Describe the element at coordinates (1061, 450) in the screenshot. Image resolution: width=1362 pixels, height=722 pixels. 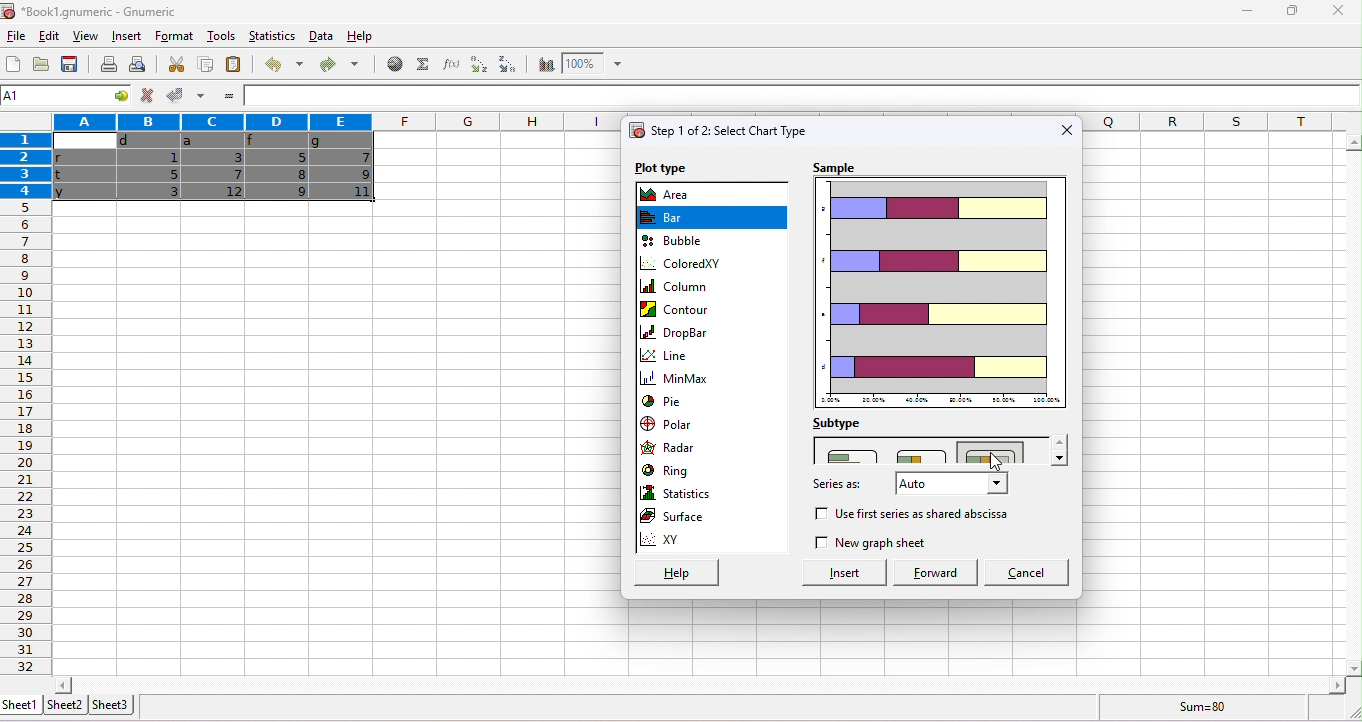
I see `drop down` at that location.